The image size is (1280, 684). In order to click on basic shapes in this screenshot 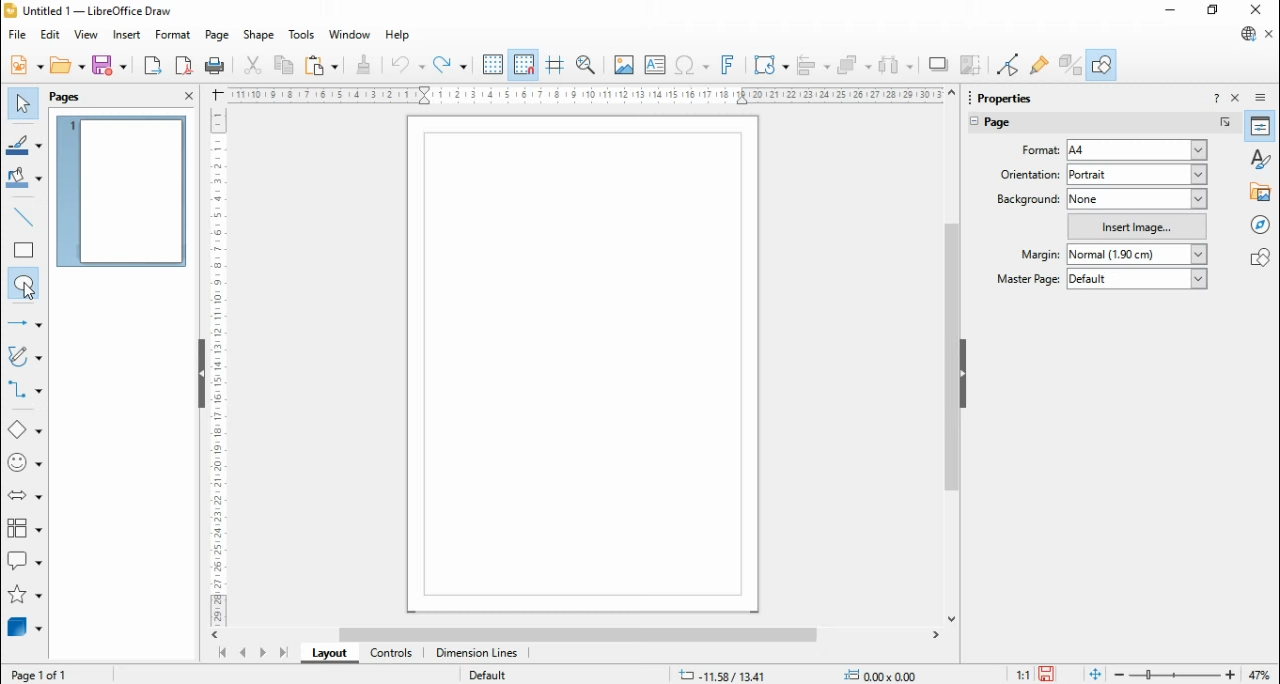, I will do `click(25, 432)`.